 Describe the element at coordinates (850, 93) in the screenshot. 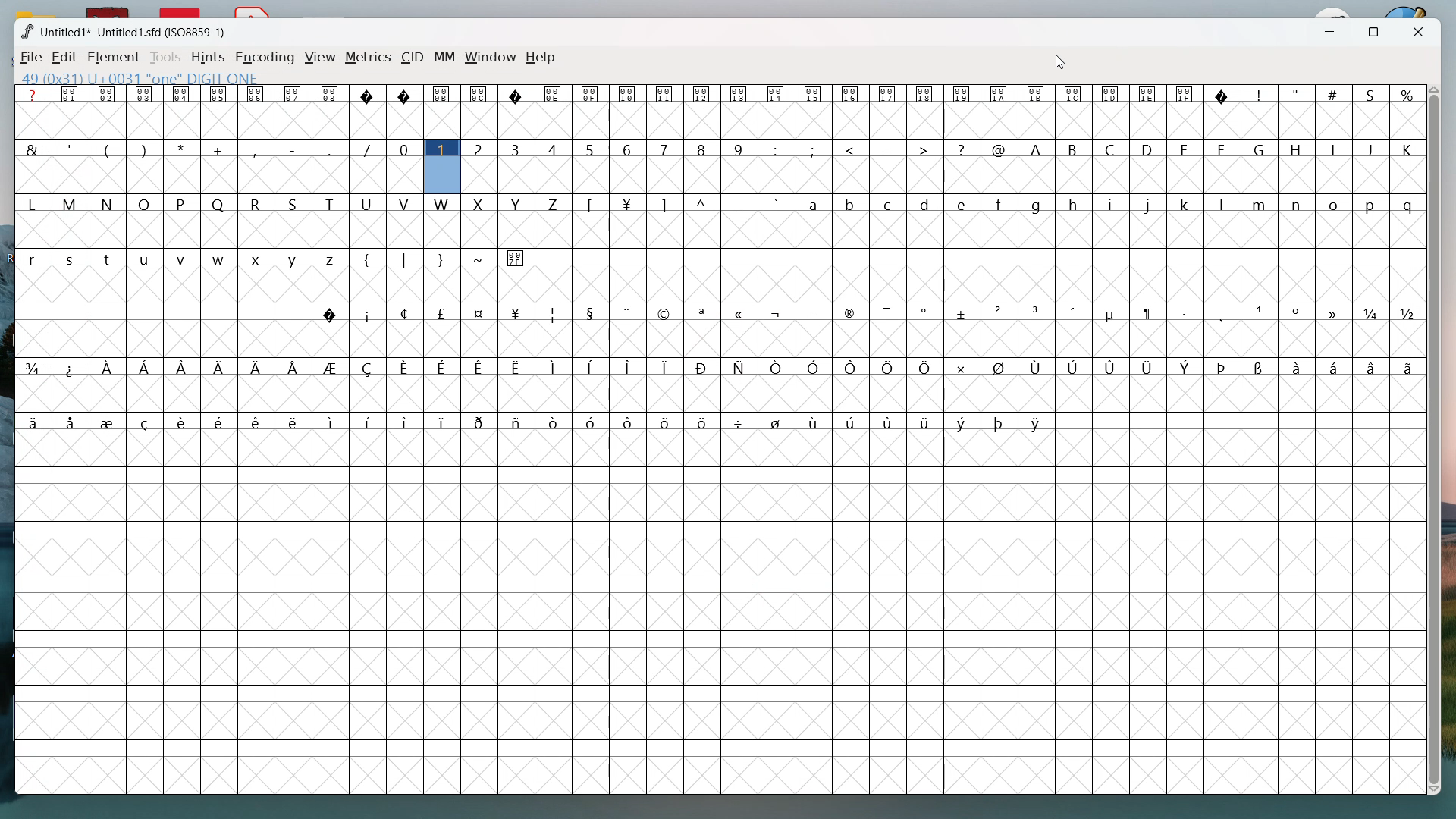

I see `symbol` at that location.